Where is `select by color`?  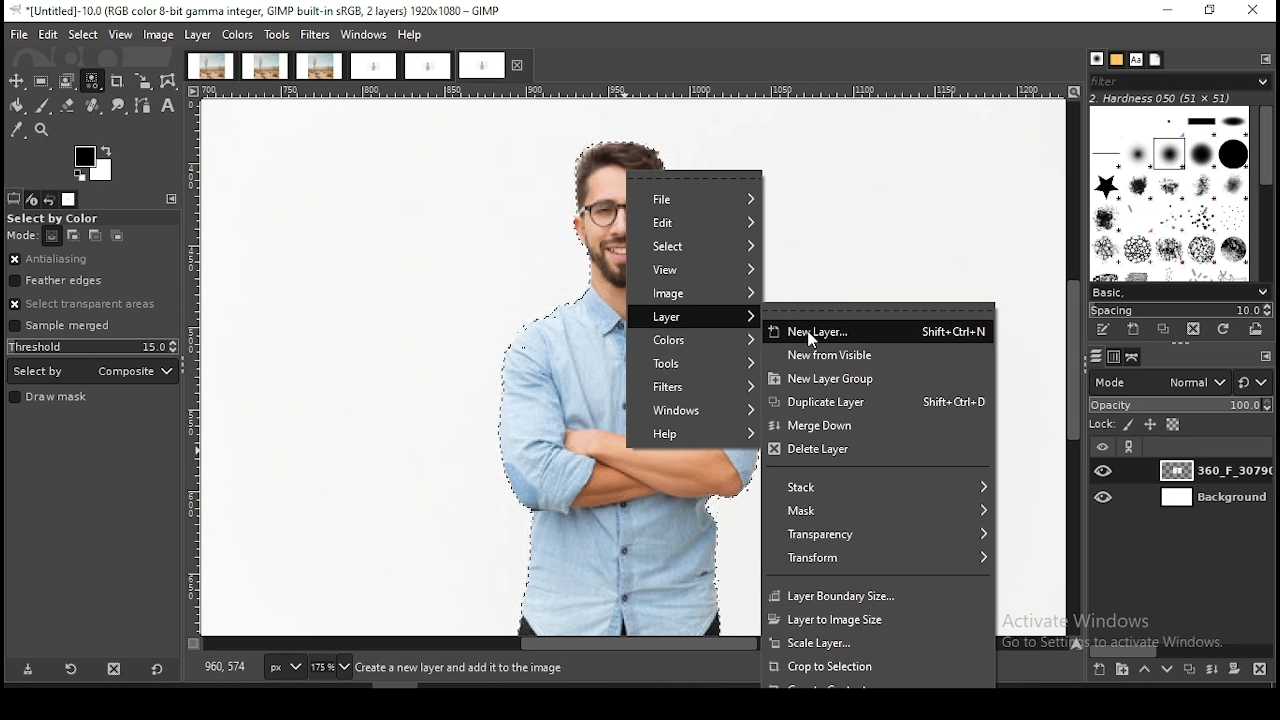 select by color is located at coordinates (59, 219).